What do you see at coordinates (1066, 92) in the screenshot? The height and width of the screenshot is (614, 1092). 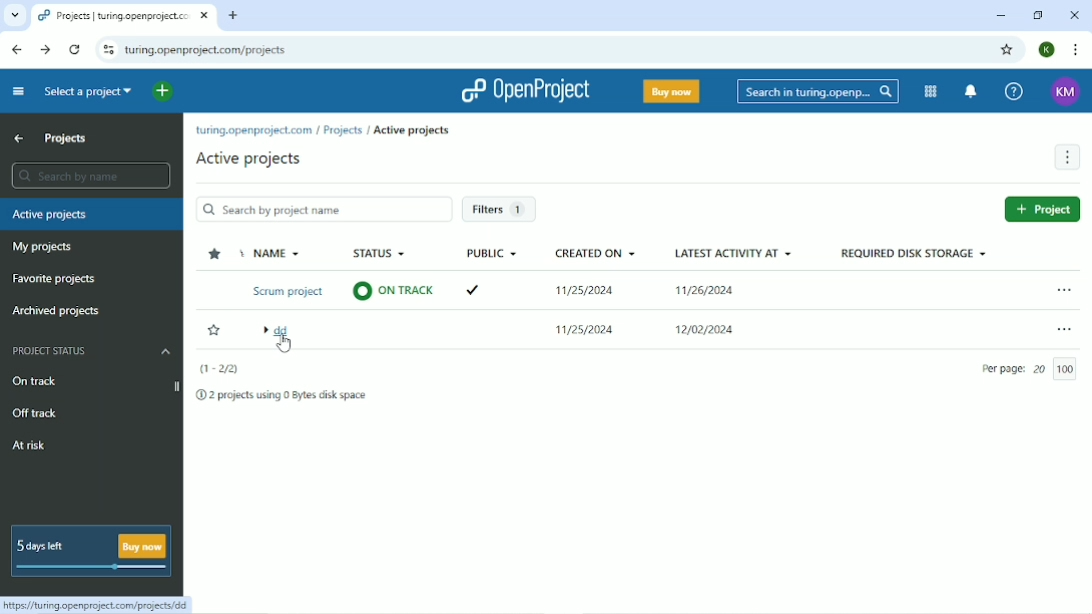 I see `Account` at bounding box center [1066, 92].